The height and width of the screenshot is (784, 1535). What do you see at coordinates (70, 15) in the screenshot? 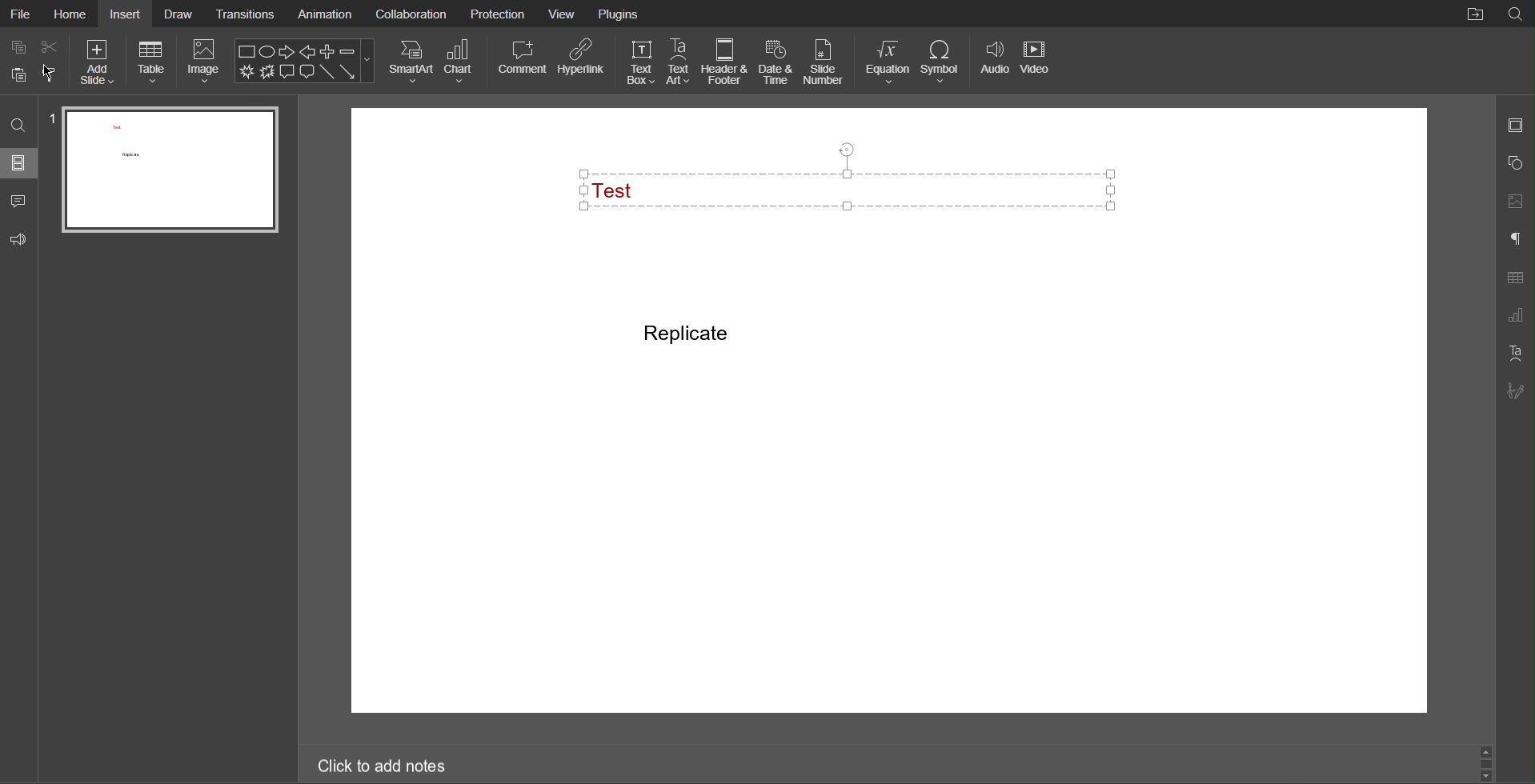
I see `Home` at bounding box center [70, 15].